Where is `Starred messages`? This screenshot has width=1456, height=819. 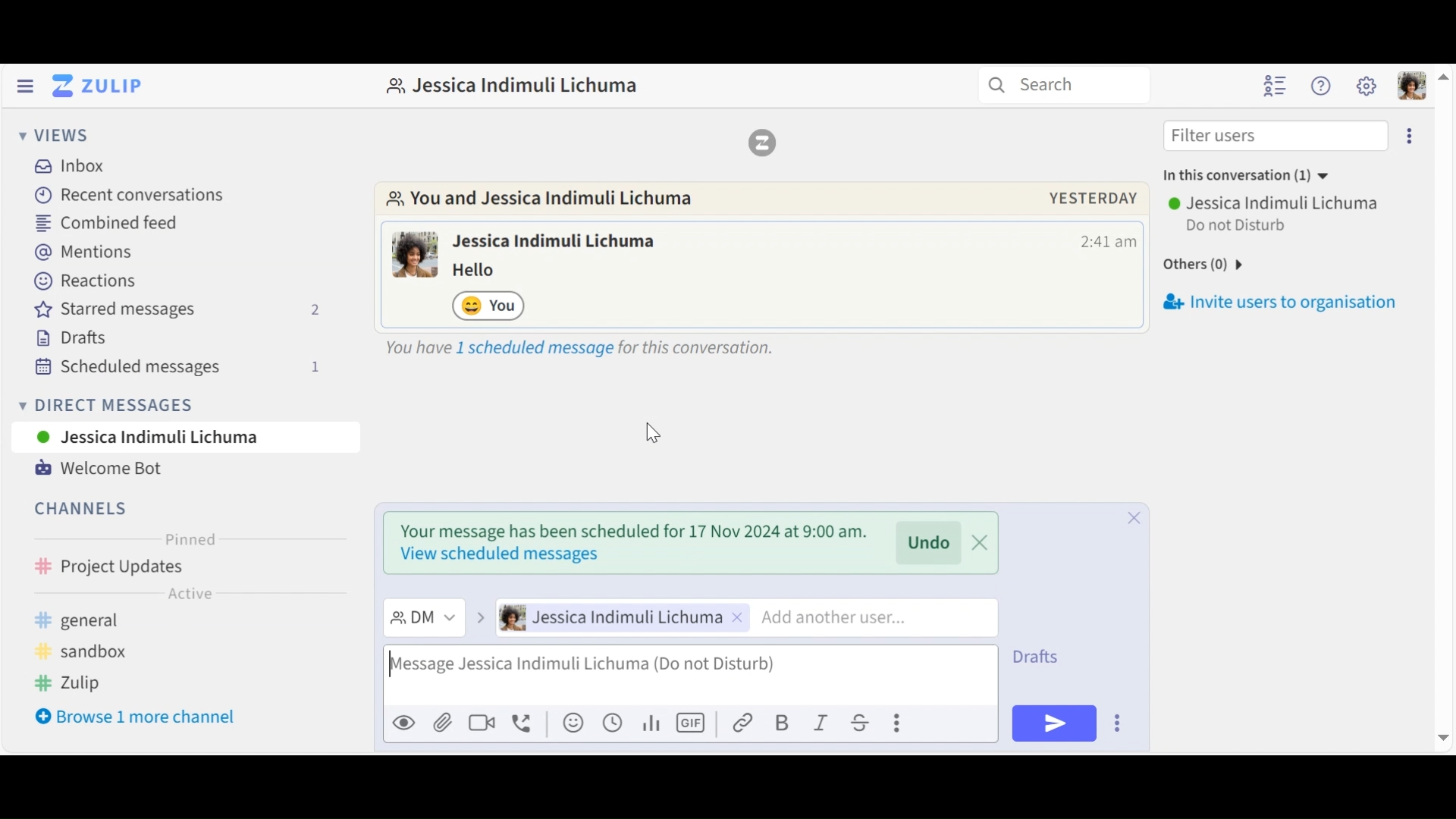 Starred messages is located at coordinates (178, 312).